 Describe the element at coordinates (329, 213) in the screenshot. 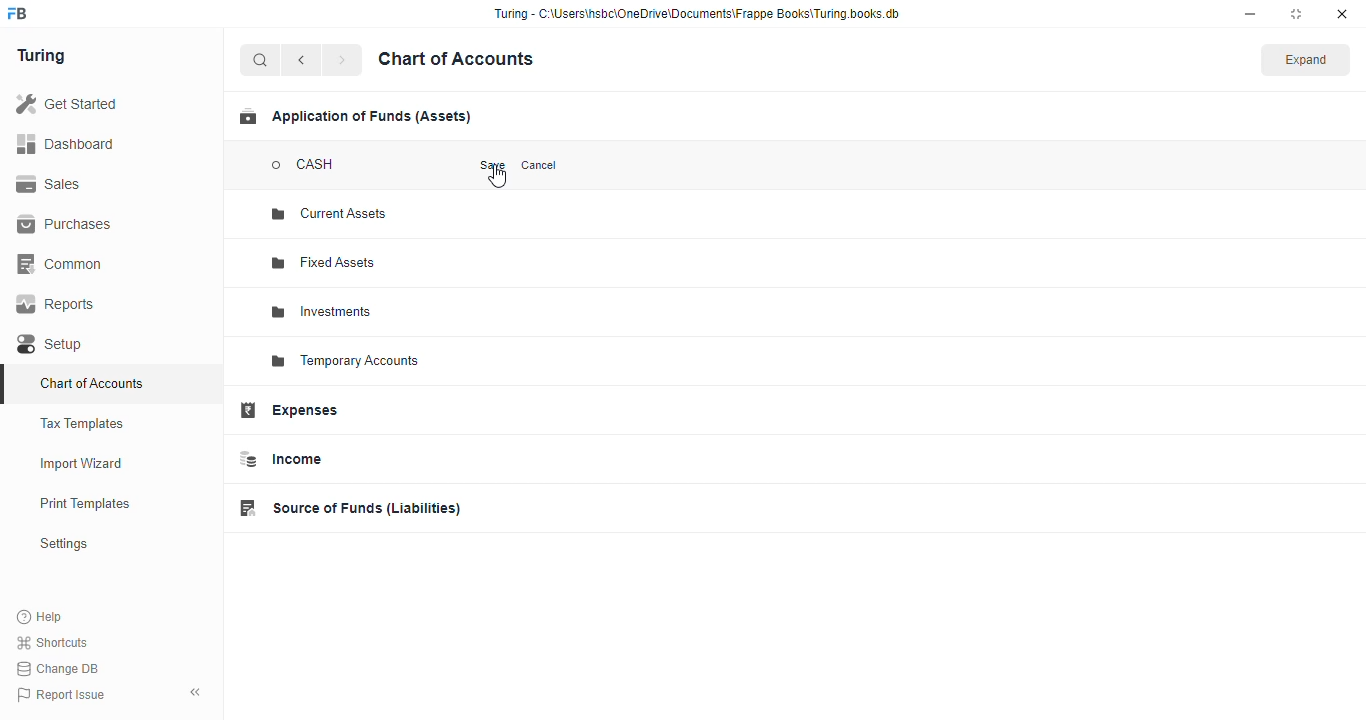

I see `current assets` at that location.